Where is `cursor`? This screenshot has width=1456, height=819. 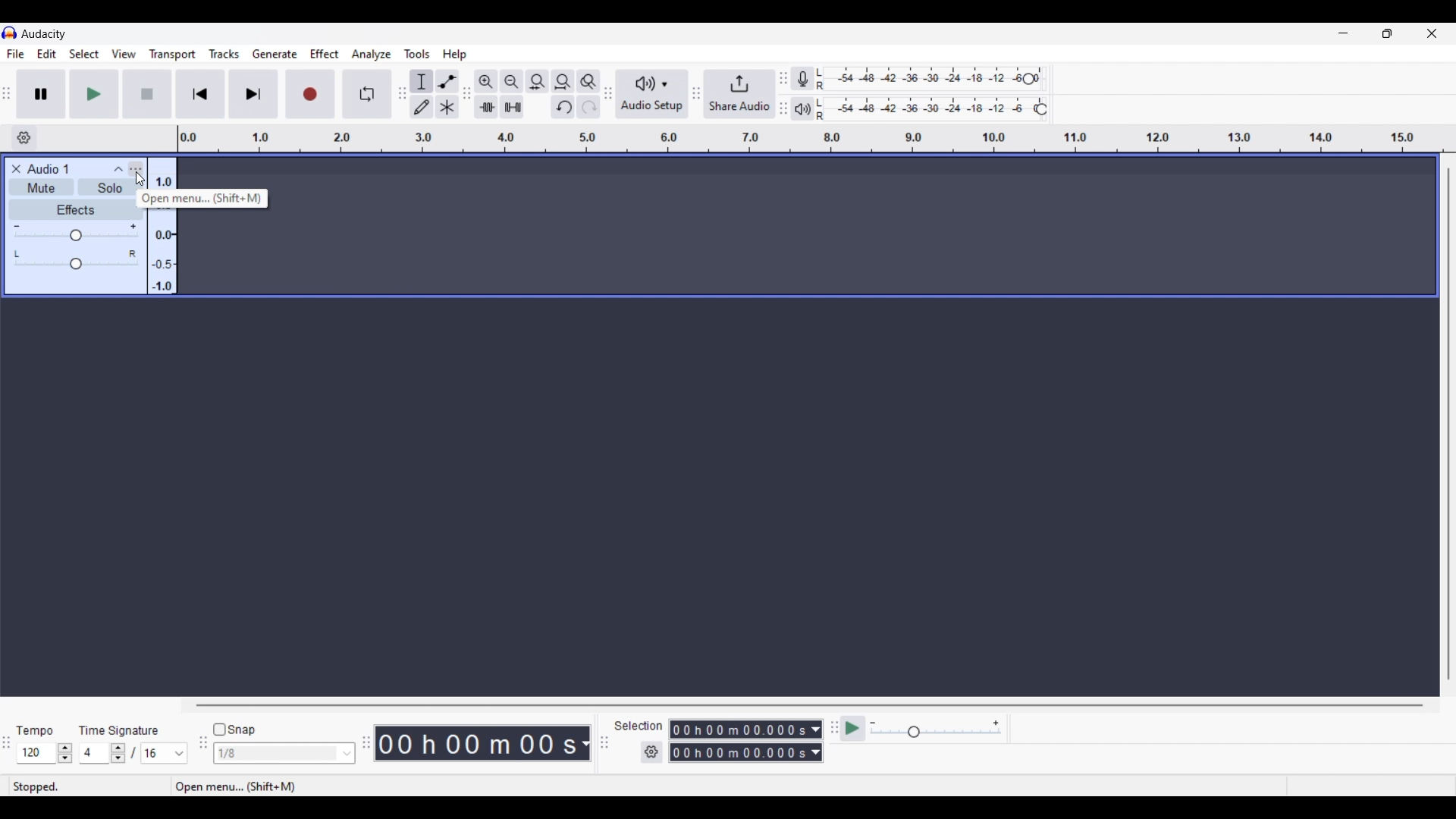
cursor is located at coordinates (140, 180).